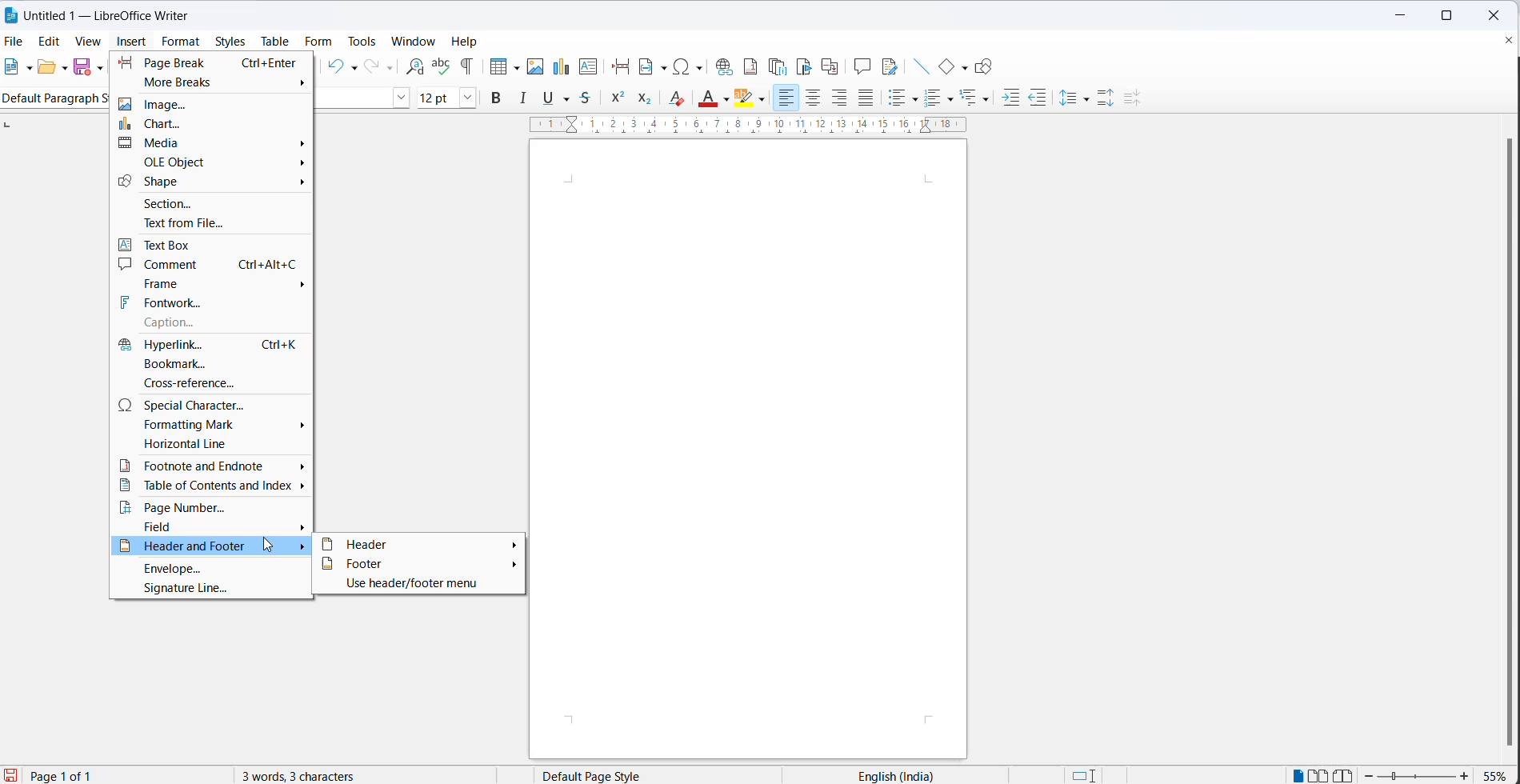 The image size is (1520, 784). Describe the element at coordinates (82, 67) in the screenshot. I see `save` at that location.